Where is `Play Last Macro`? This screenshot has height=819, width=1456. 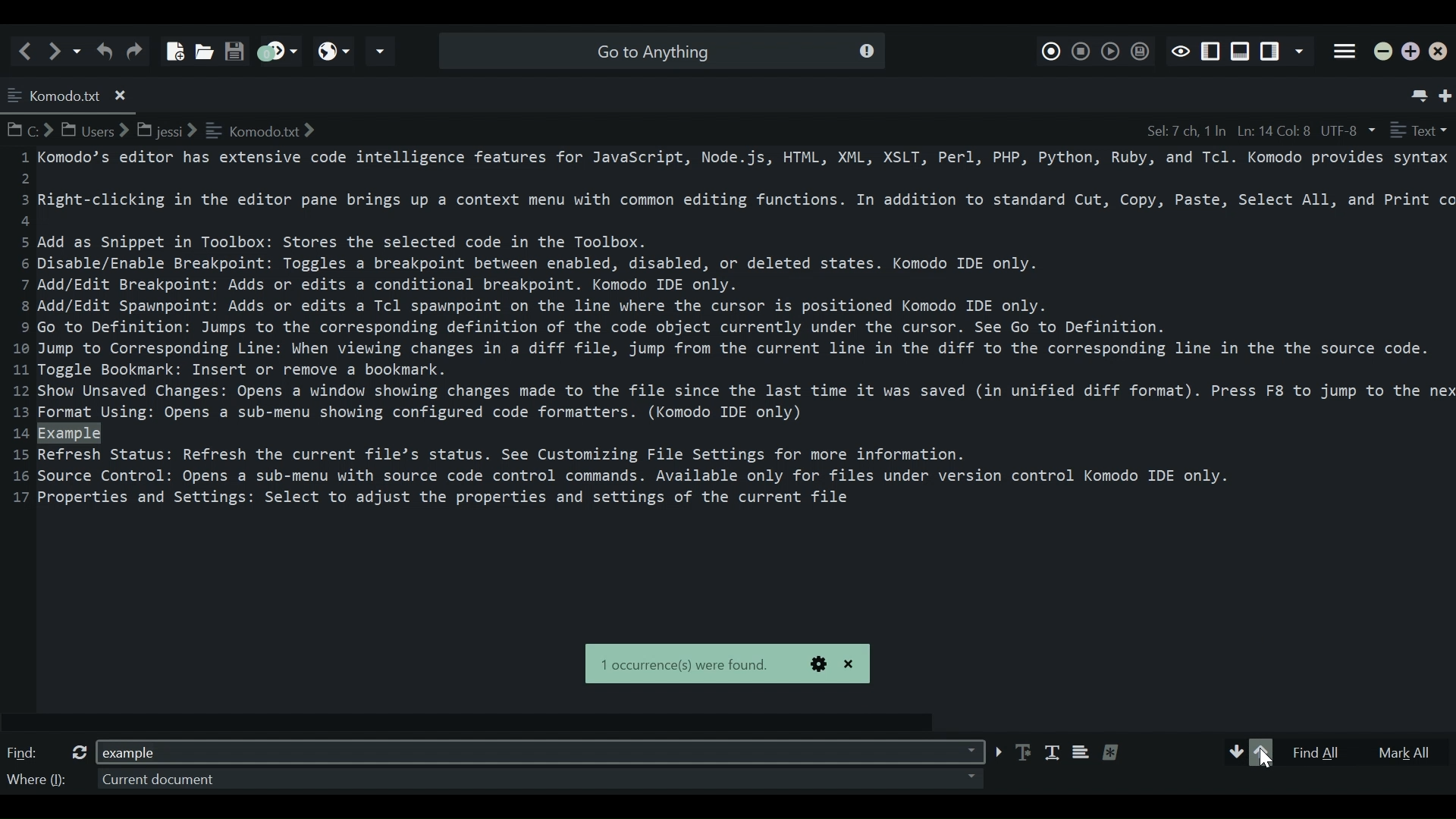 Play Last Macro is located at coordinates (1109, 50).